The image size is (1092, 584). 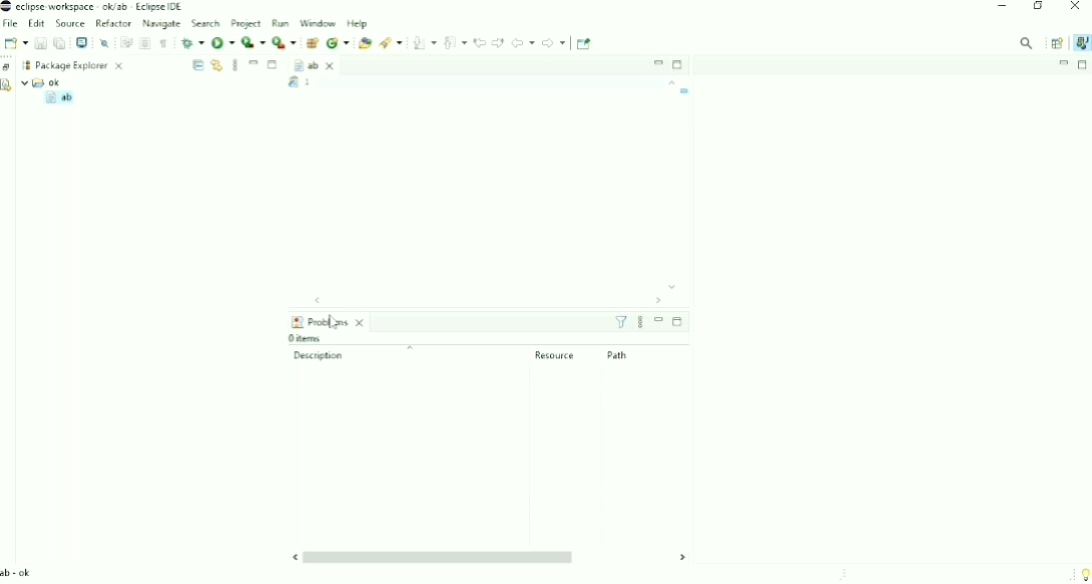 I want to click on Path, so click(x=619, y=355).